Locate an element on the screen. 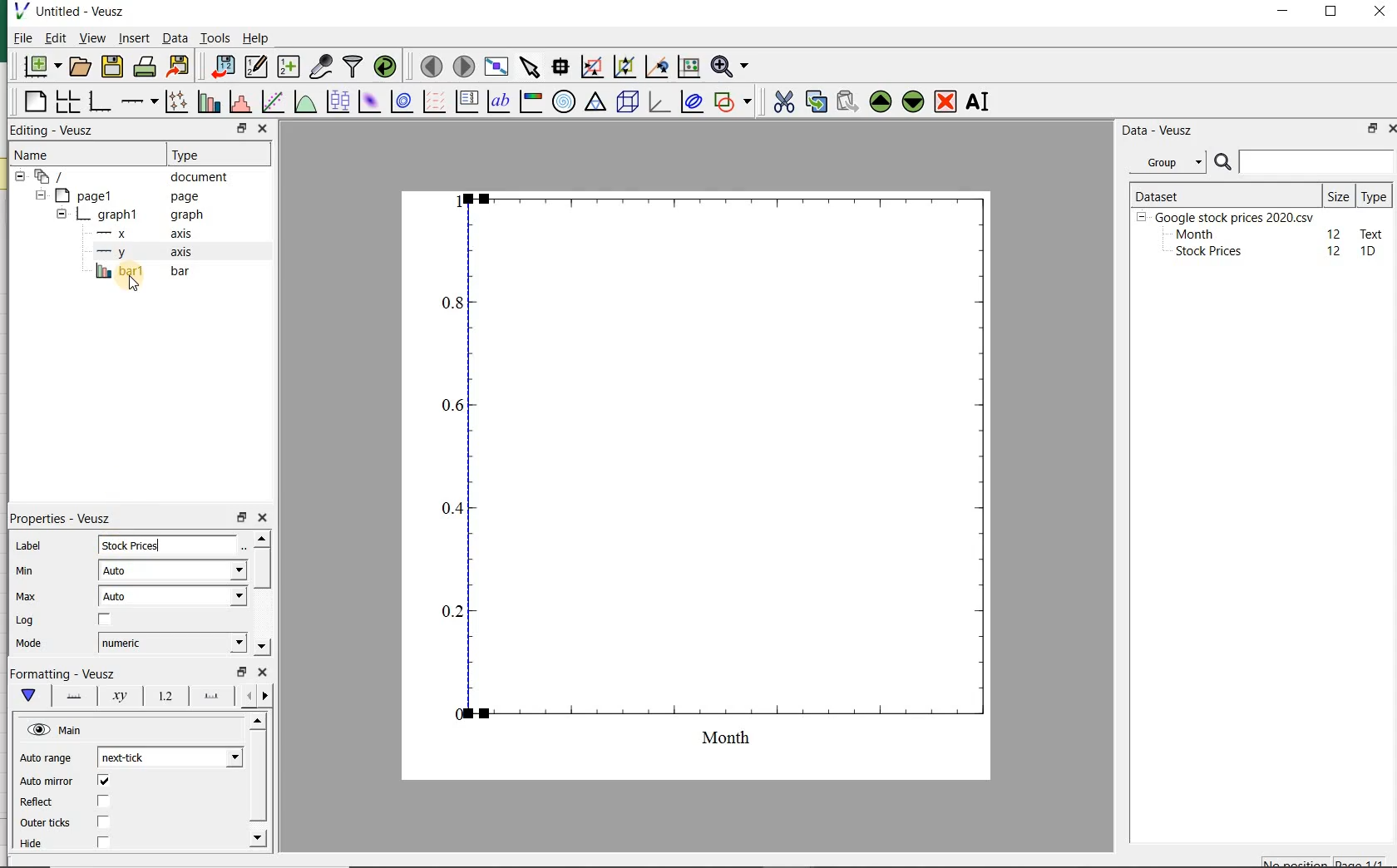  cursor is located at coordinates (138, 283).